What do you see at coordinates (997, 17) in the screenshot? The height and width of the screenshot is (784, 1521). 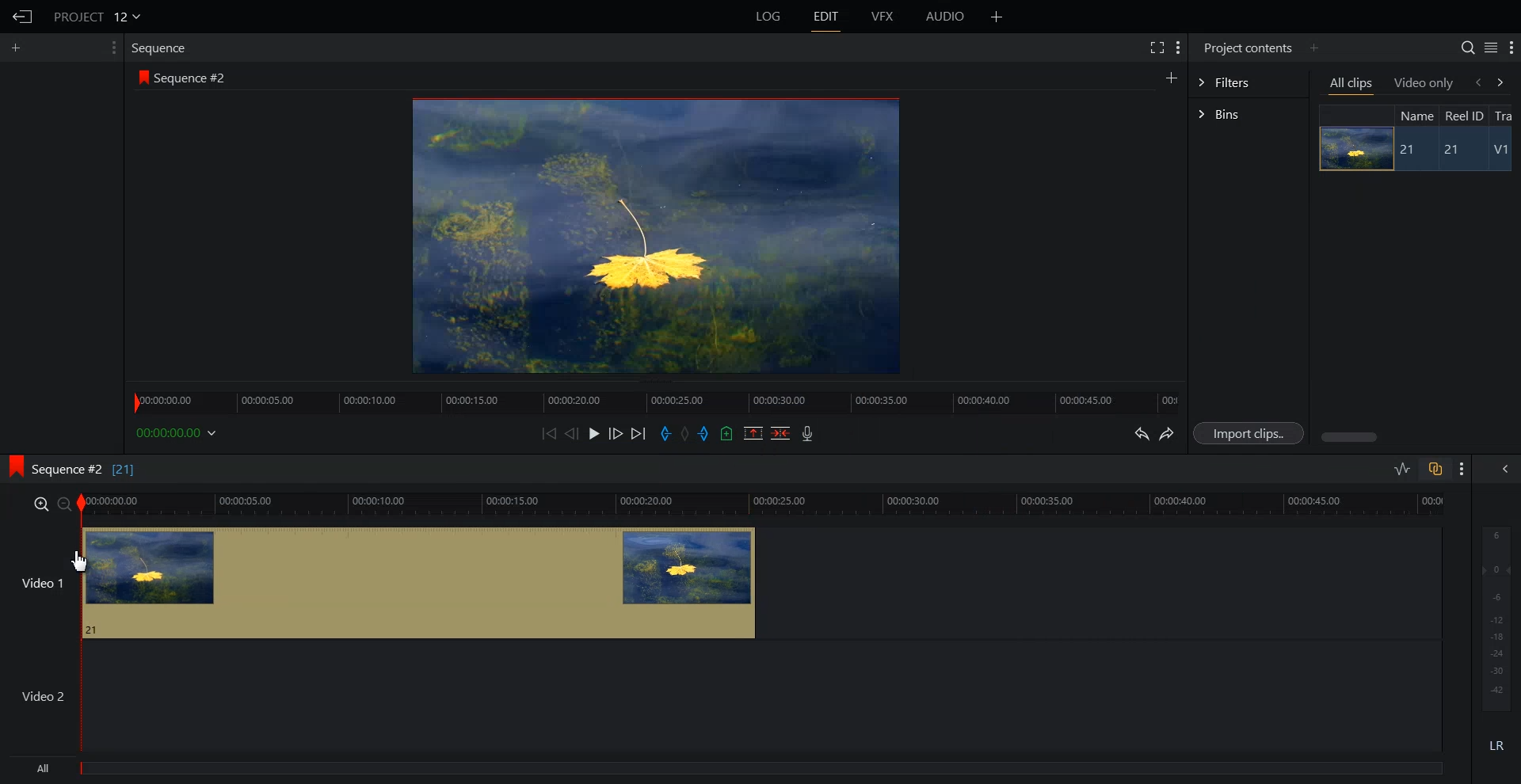 I see `Add panel` at bounding box center [997, 17].